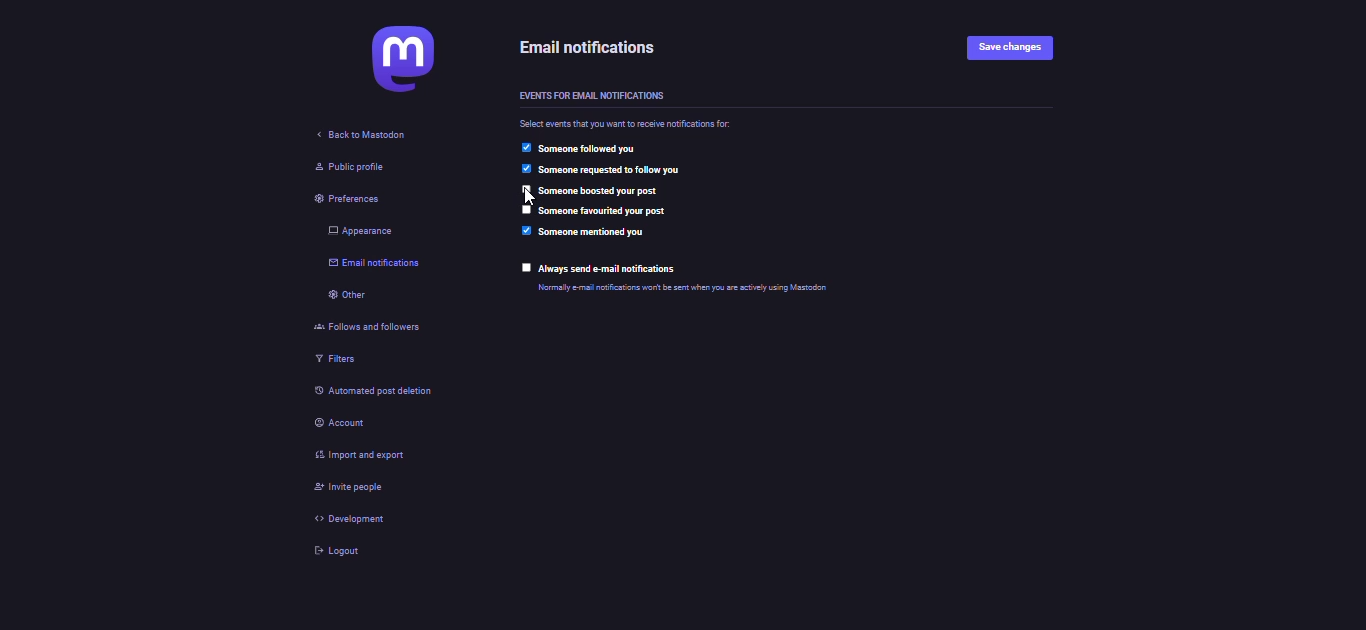  Describe the element at coordinates (600, 192) in the screenshot. I see `someone boosted your profile` at that location.